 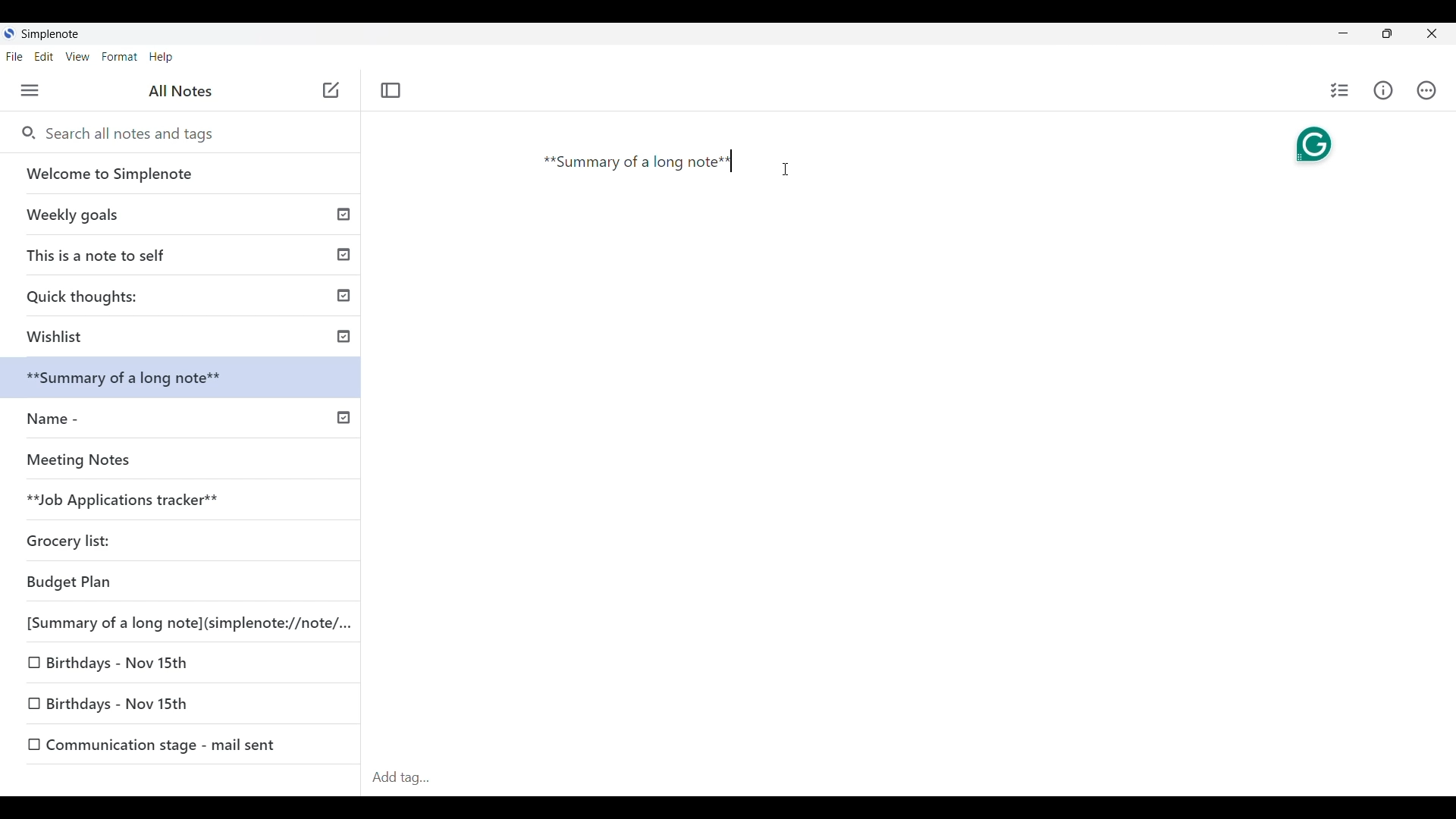 What do you see at coordinates (1388, 33) in the screenshot?
I see `Resize` at bounding box center [1388, 33].